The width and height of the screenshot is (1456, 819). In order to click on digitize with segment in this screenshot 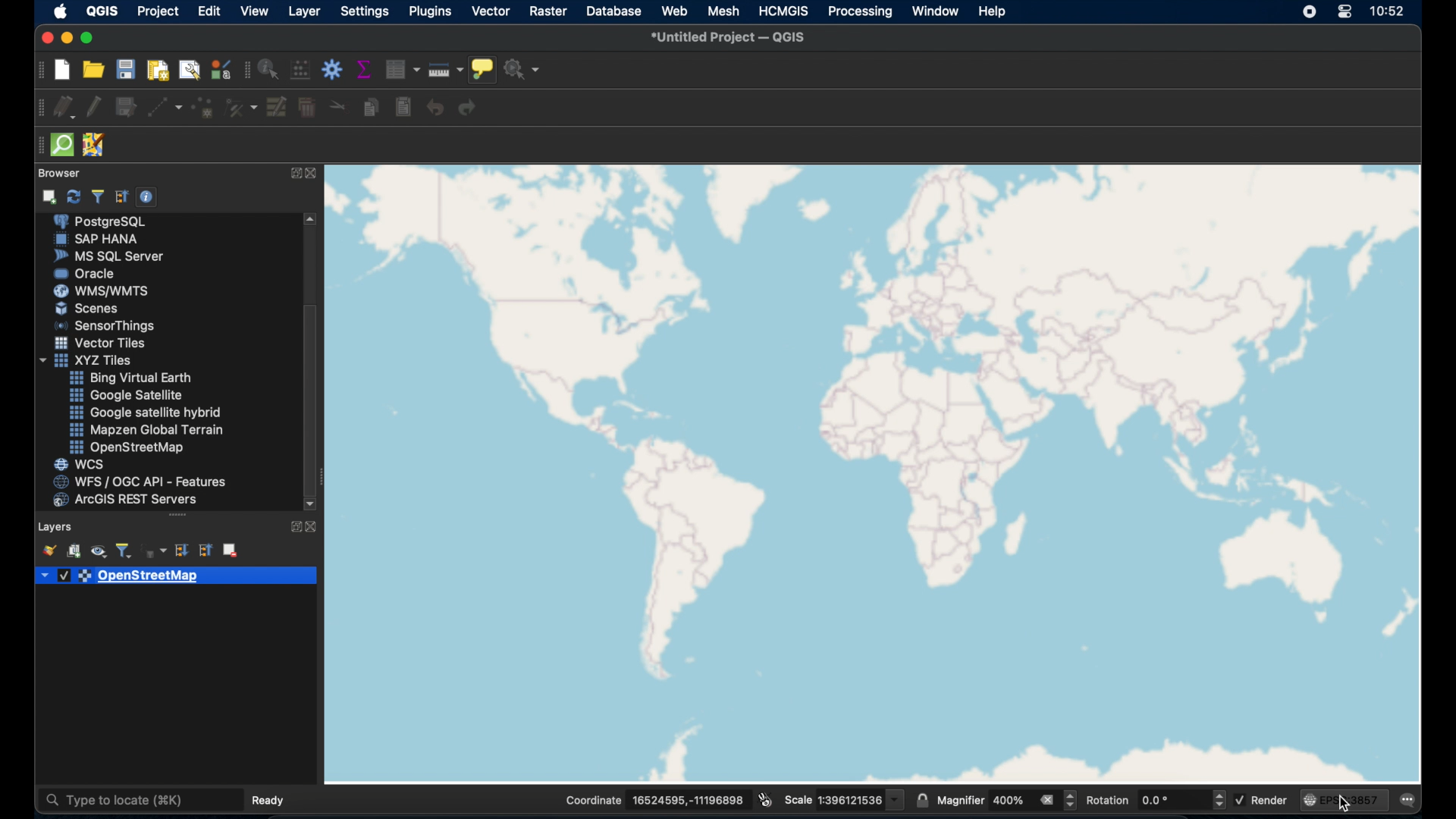, I will do `click(163, 110)`.